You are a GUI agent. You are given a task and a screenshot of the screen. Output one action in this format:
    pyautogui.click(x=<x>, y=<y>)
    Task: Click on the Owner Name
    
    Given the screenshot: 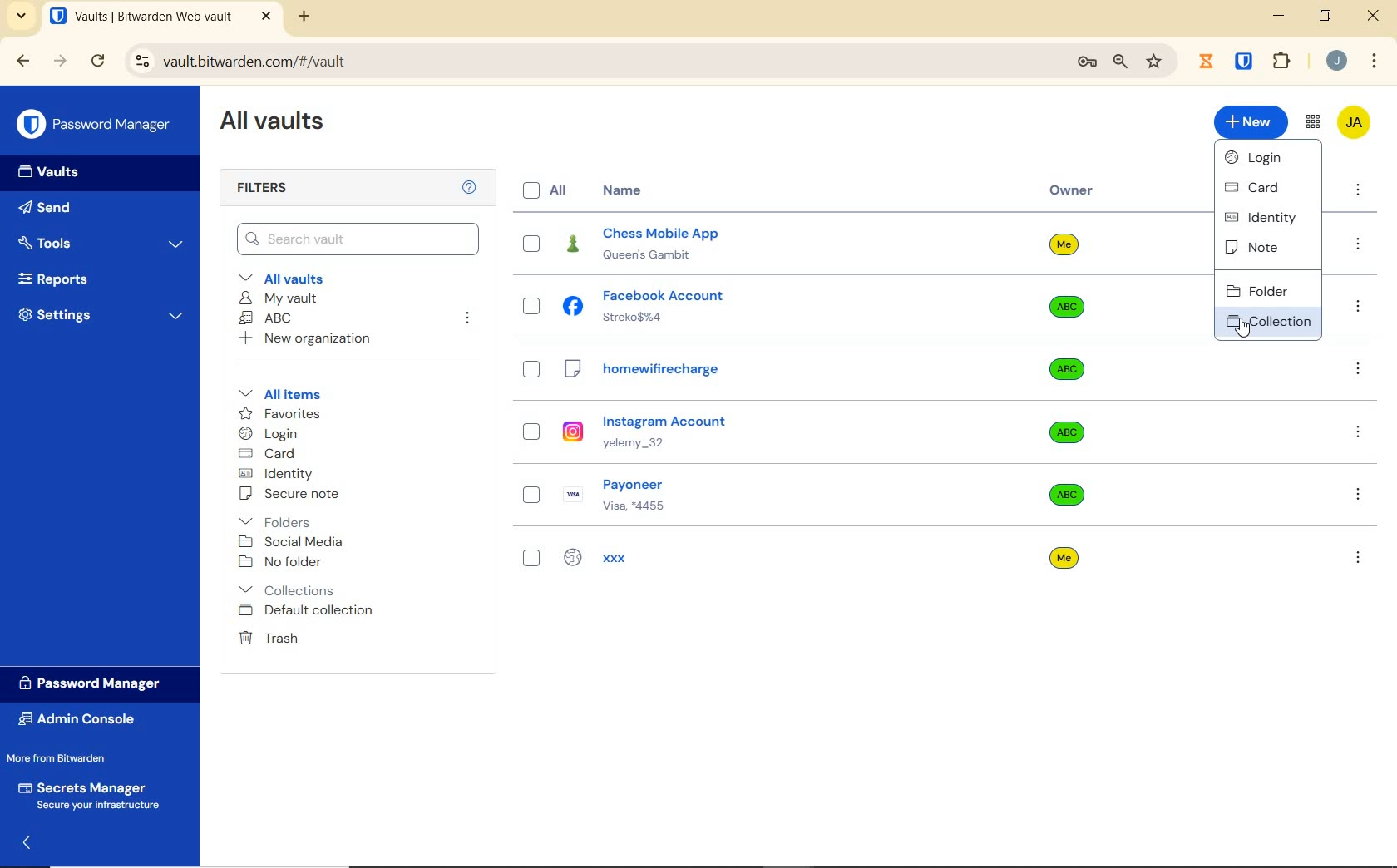 What is the action you would take?
    pyautogui.click(x=1068, y=404)
    